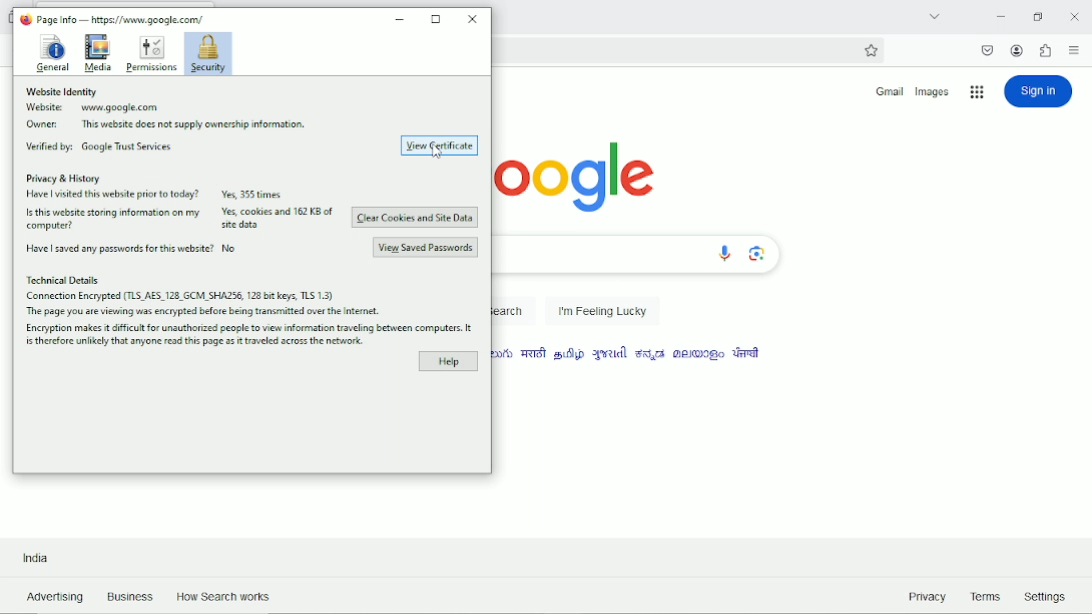 The height and width of the screenshot is (614, 1092). I want to click on Technical Details, so click(242, 278).